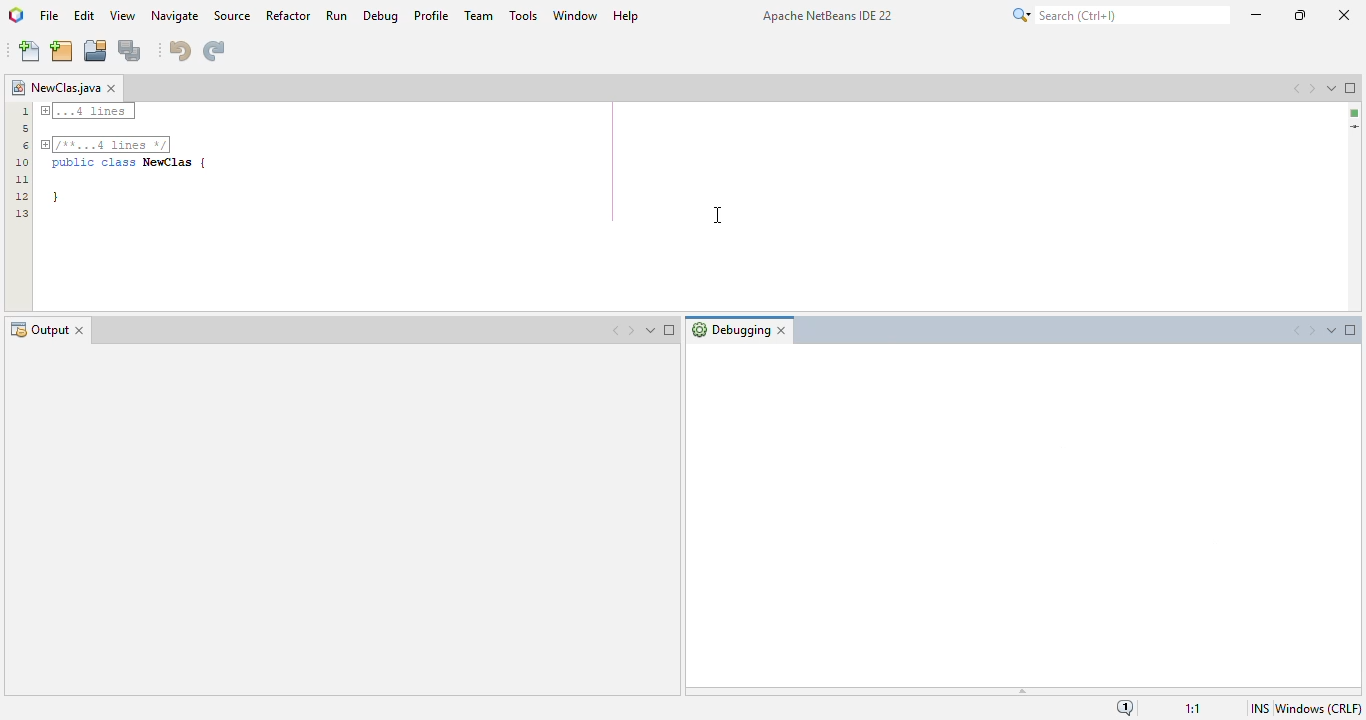 The height and width of the screenshot is (720, 1366). What do you see at coordinates (83, 329) in the screenshot?
I see `Close` at bounding box center [83, 329].